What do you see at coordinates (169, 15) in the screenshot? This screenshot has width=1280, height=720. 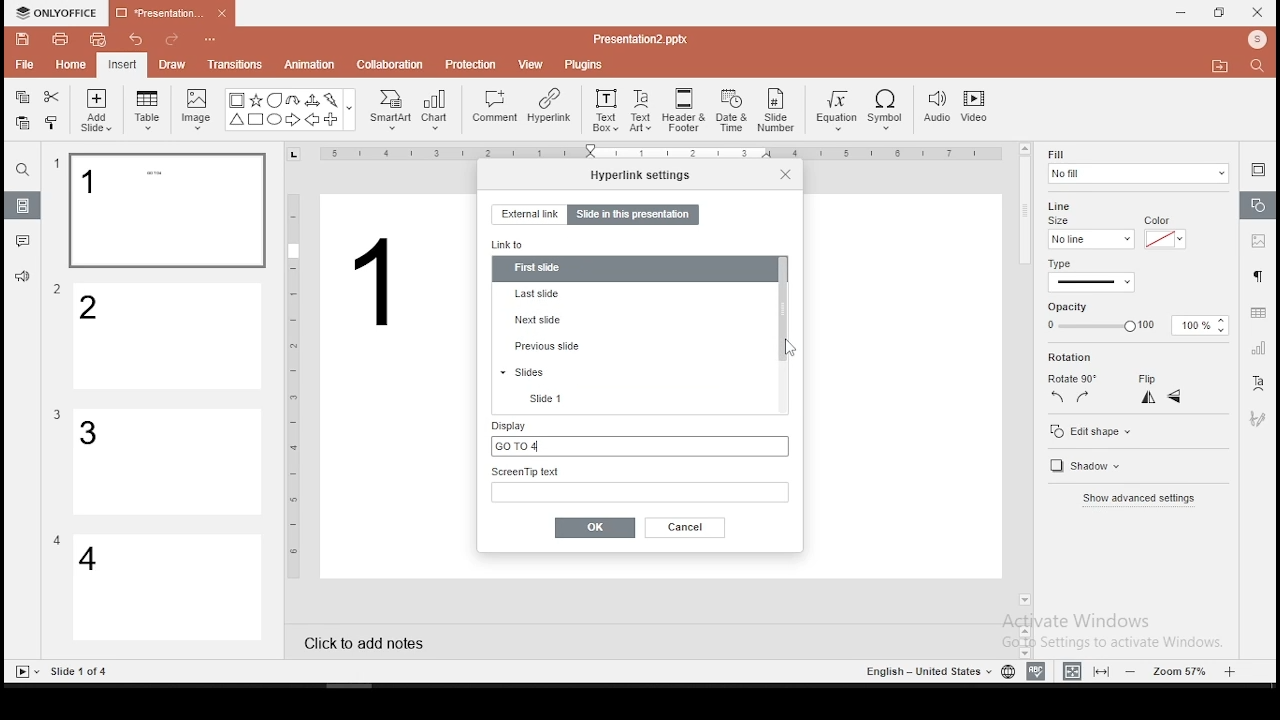 I see `presentation` at bounding box center [169, 15].